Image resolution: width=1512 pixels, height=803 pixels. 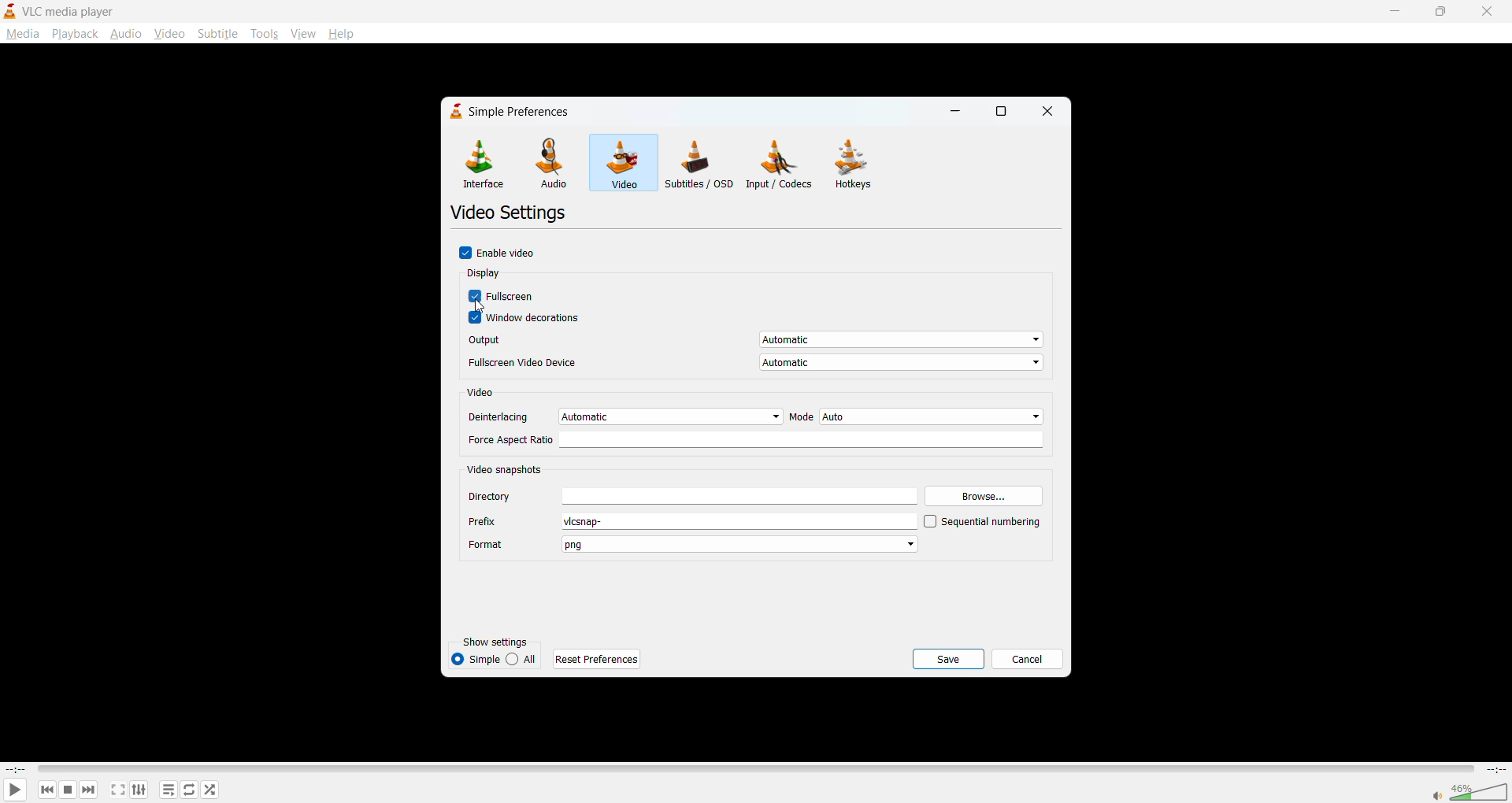 I want to click on settings, so click(x=136, y=791).